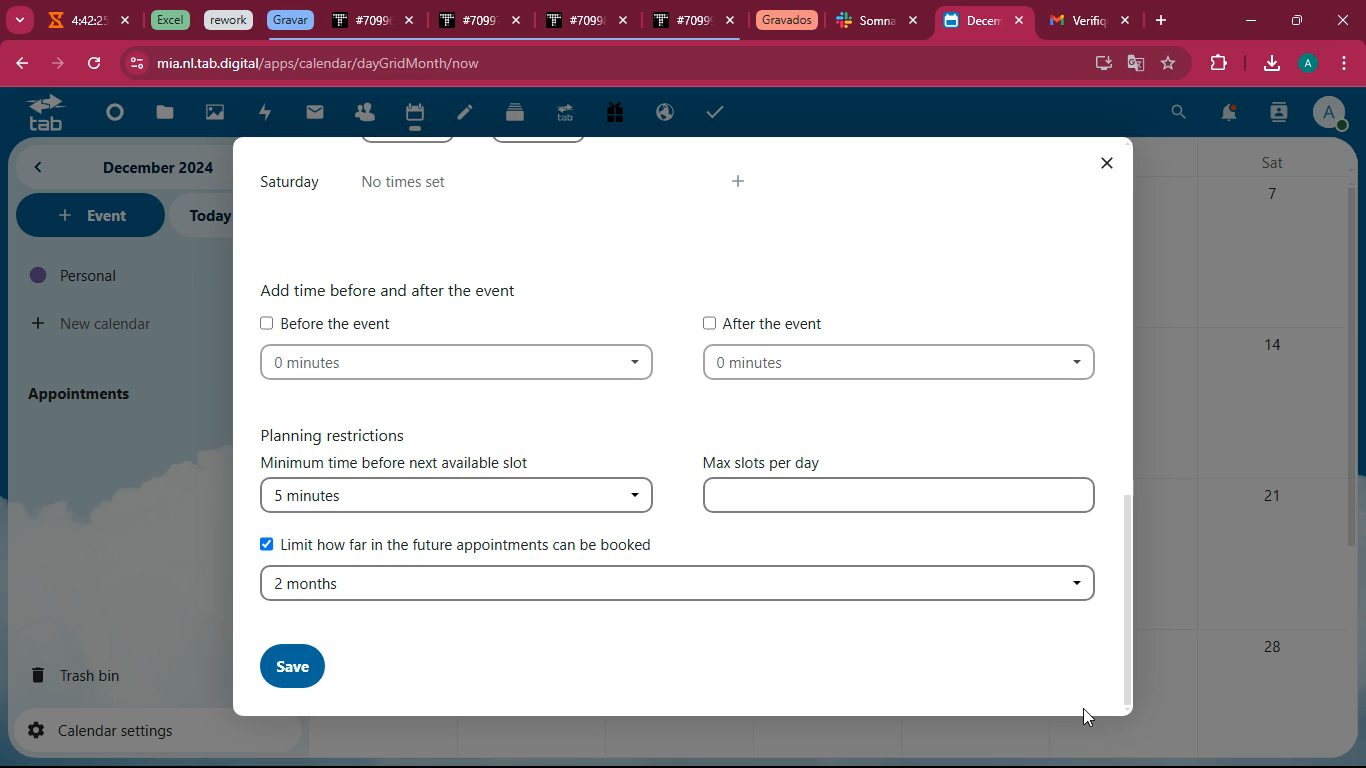 Image resolution: width=1366 pixels, height=768 pixels. I want to click on close, so click(731, 22).